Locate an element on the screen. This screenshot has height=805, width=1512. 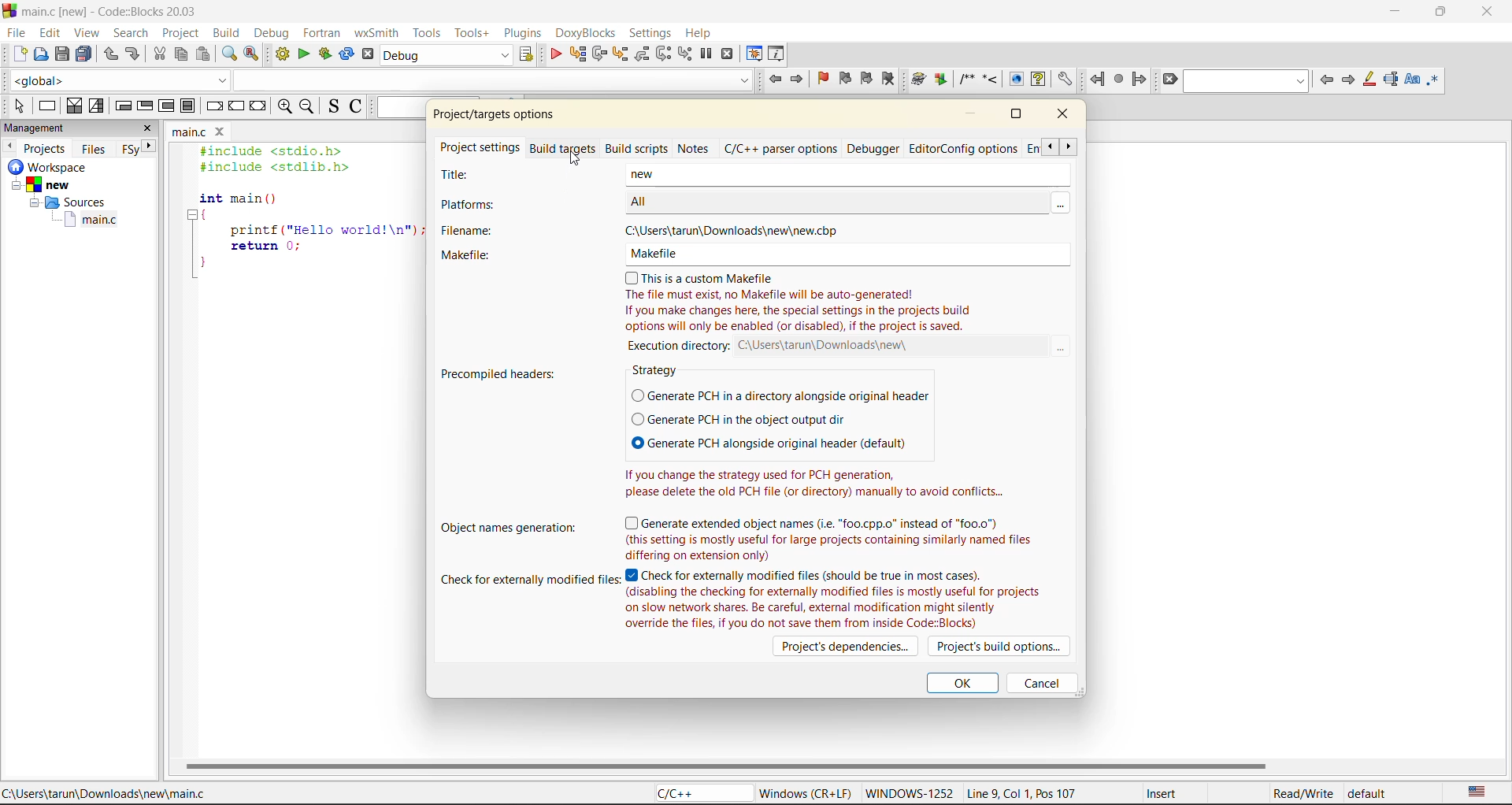
FSy is located at coordinates (131, 148).